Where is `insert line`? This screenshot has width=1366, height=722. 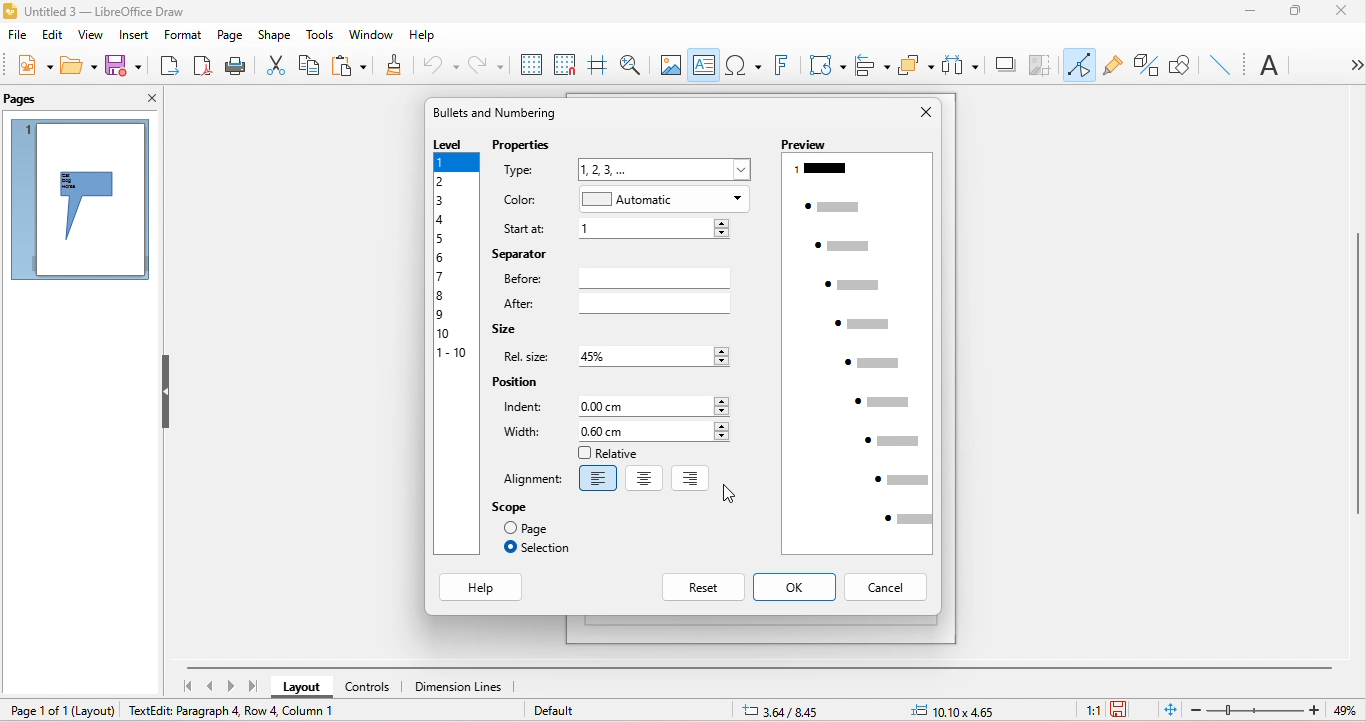 insert line is located at coordinates (1220, 63).